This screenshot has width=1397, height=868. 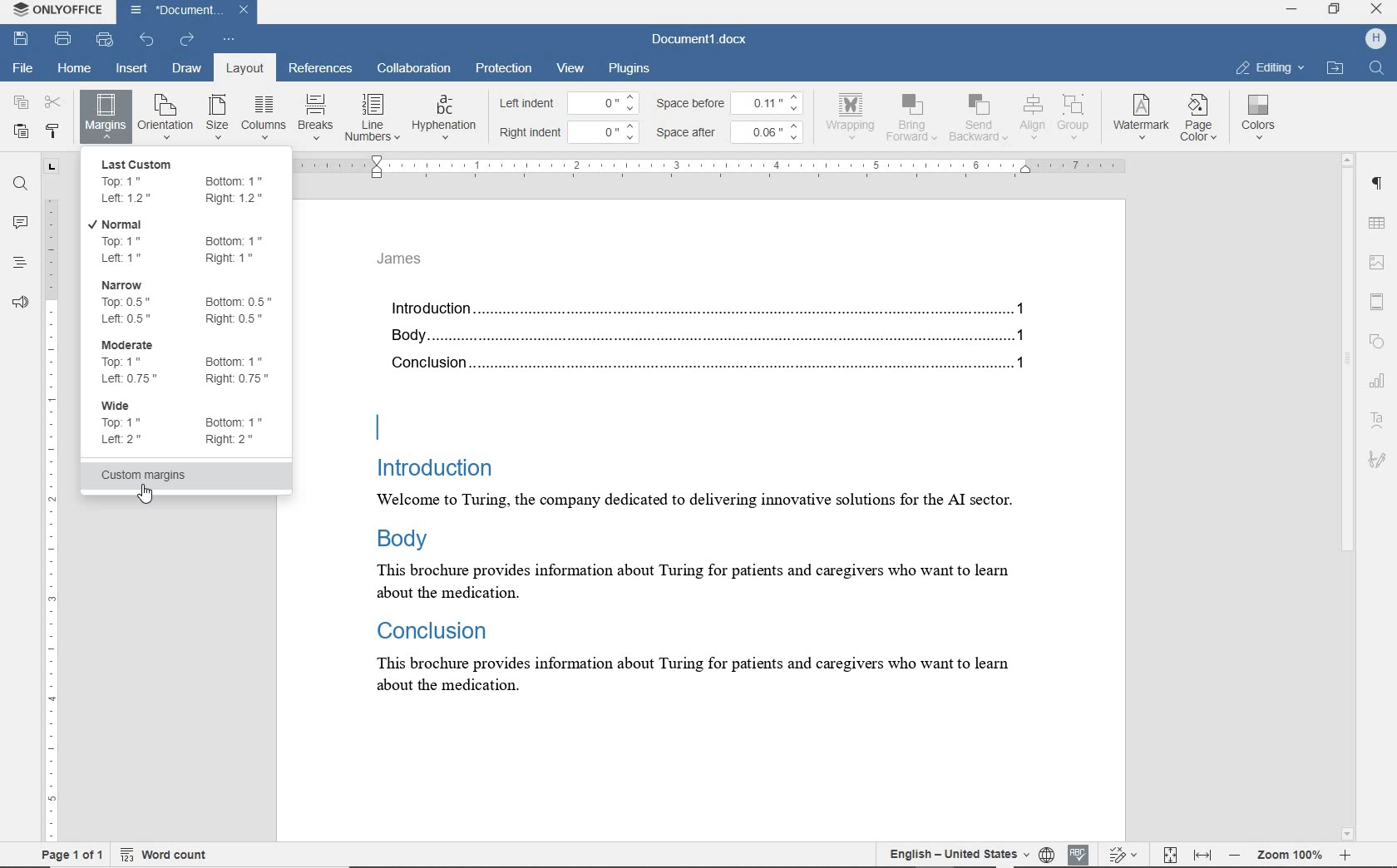 I want to click on ruler, so click(x=718, y=165).